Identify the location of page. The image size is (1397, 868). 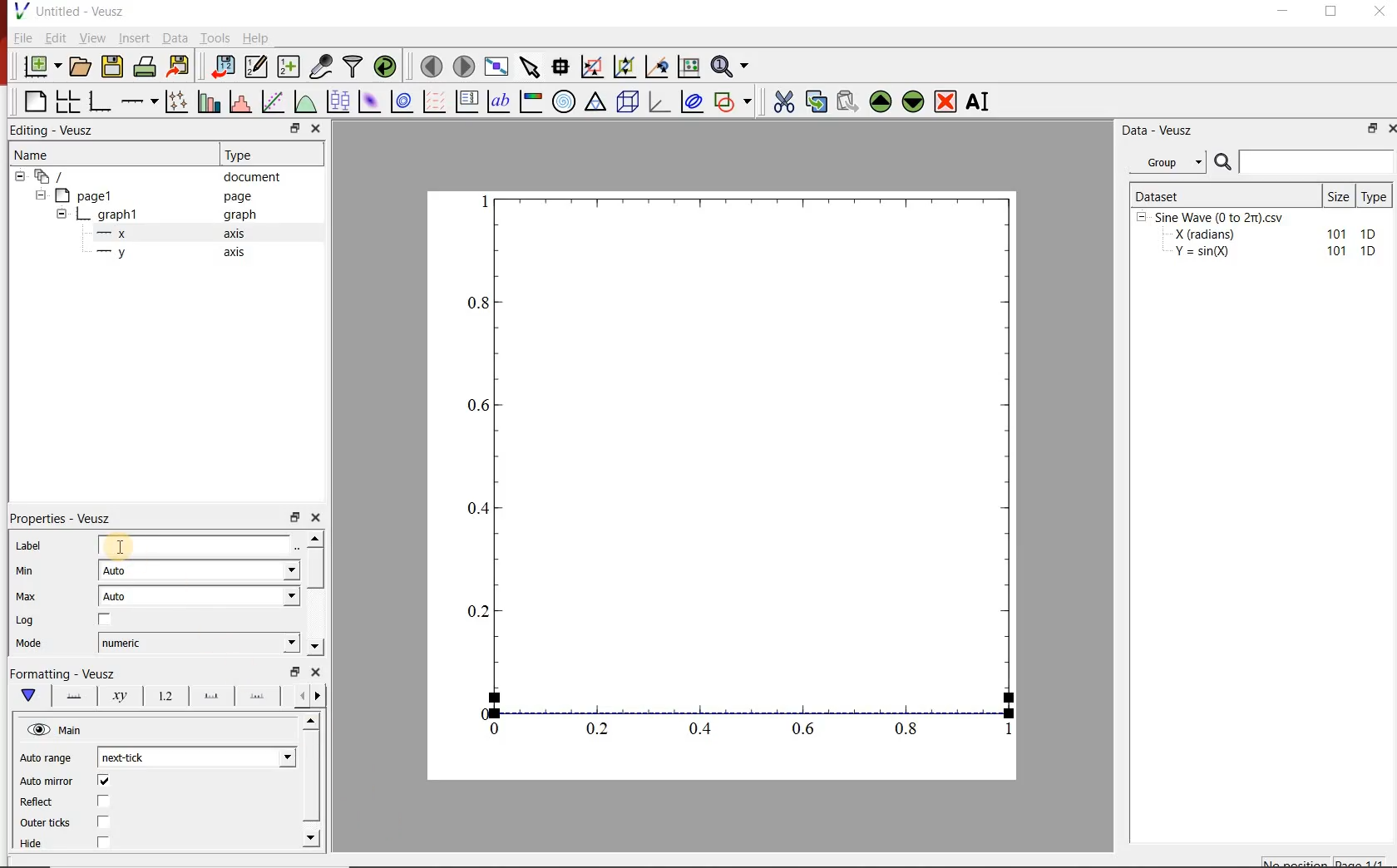
(238, 197).